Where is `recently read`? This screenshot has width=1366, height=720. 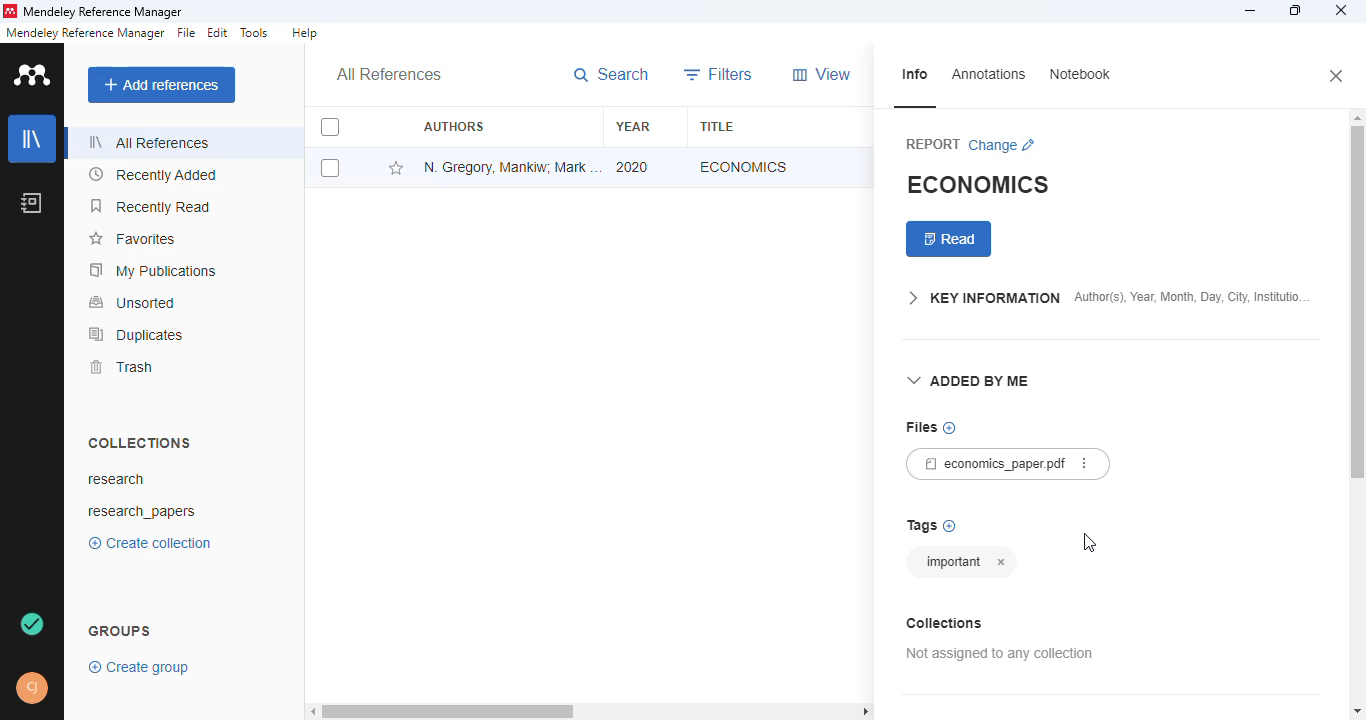
recently read is located at coordinates (149, 206).